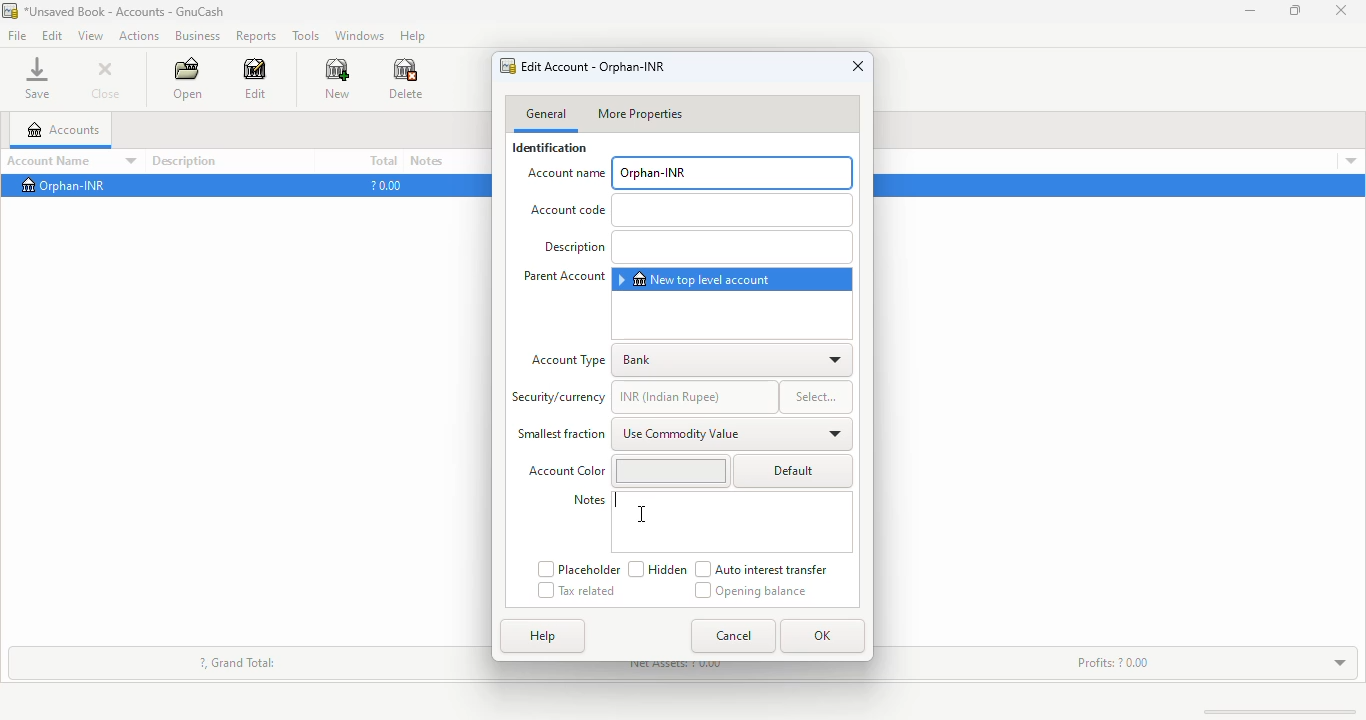 The height and width of the screenshot is (720, 1366). What do you see at coordinates (105, 80) in the screenshot?
I see `close` at bounding box center [105, 80].